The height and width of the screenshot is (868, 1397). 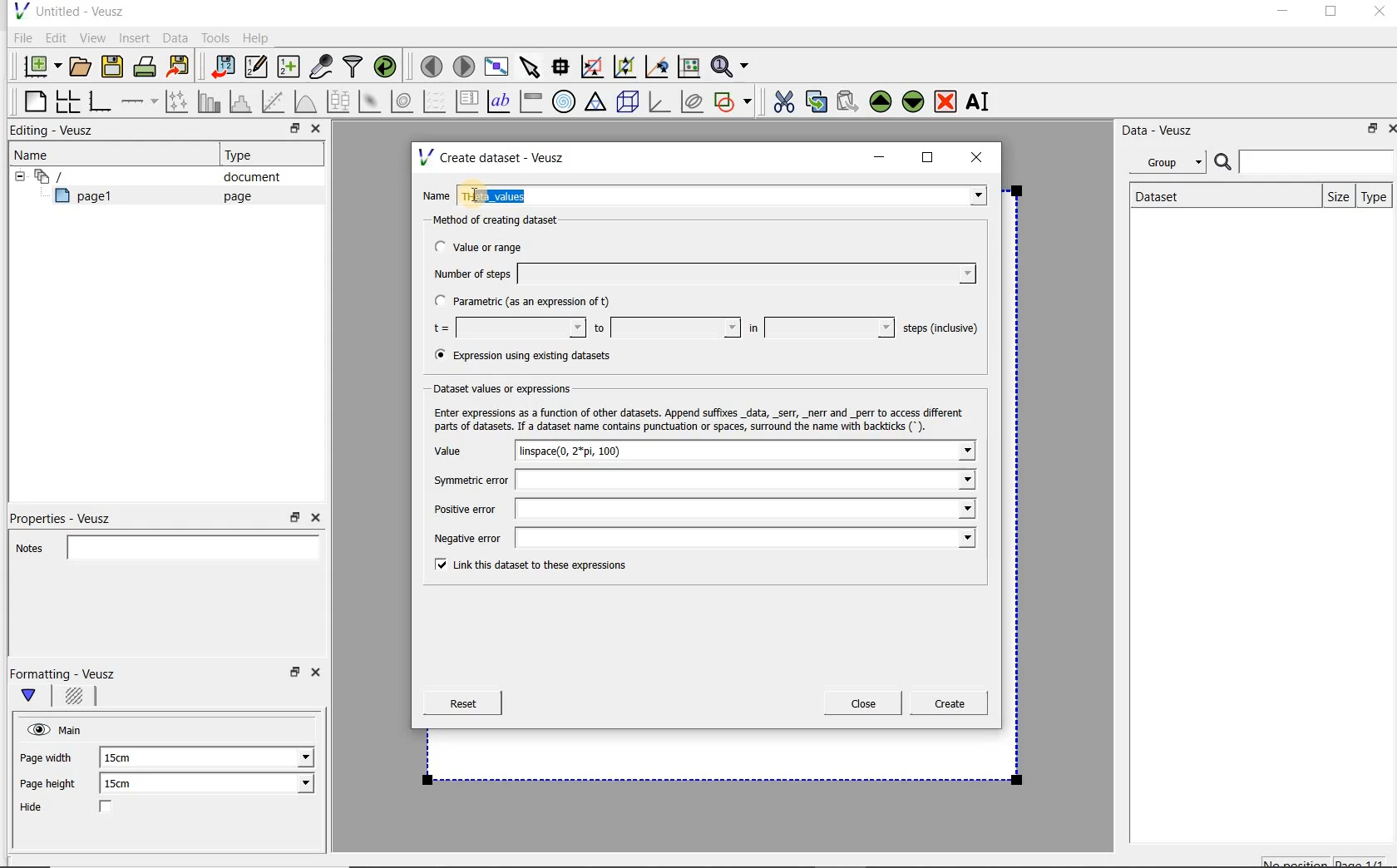 What do you see at coordinates (1305, 160) in the screenshot?
I see `Search bar` at bounding box center [1305, 160].